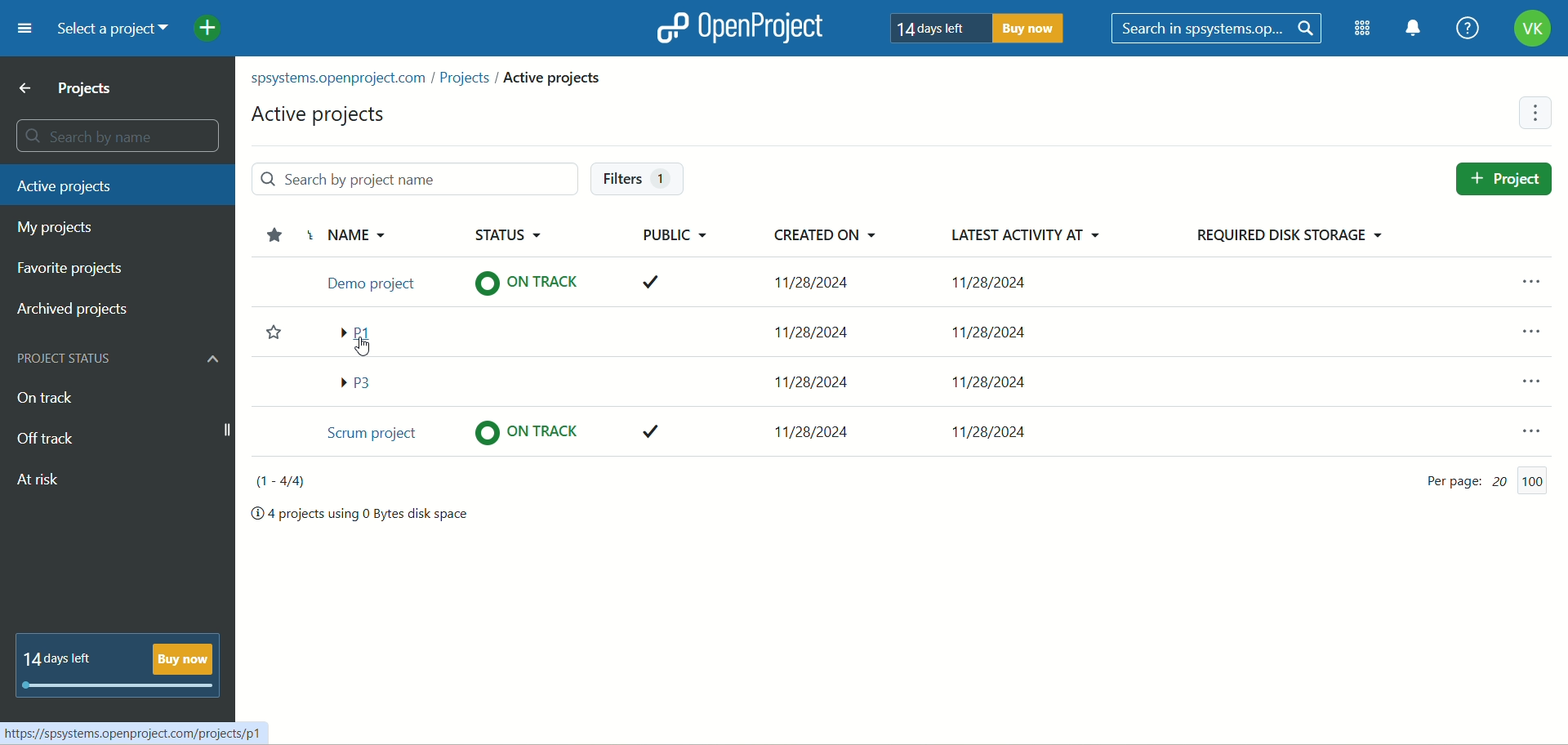  Describe the element at coordinates (634, 178) in the screenshot. I see `filters` at that location.